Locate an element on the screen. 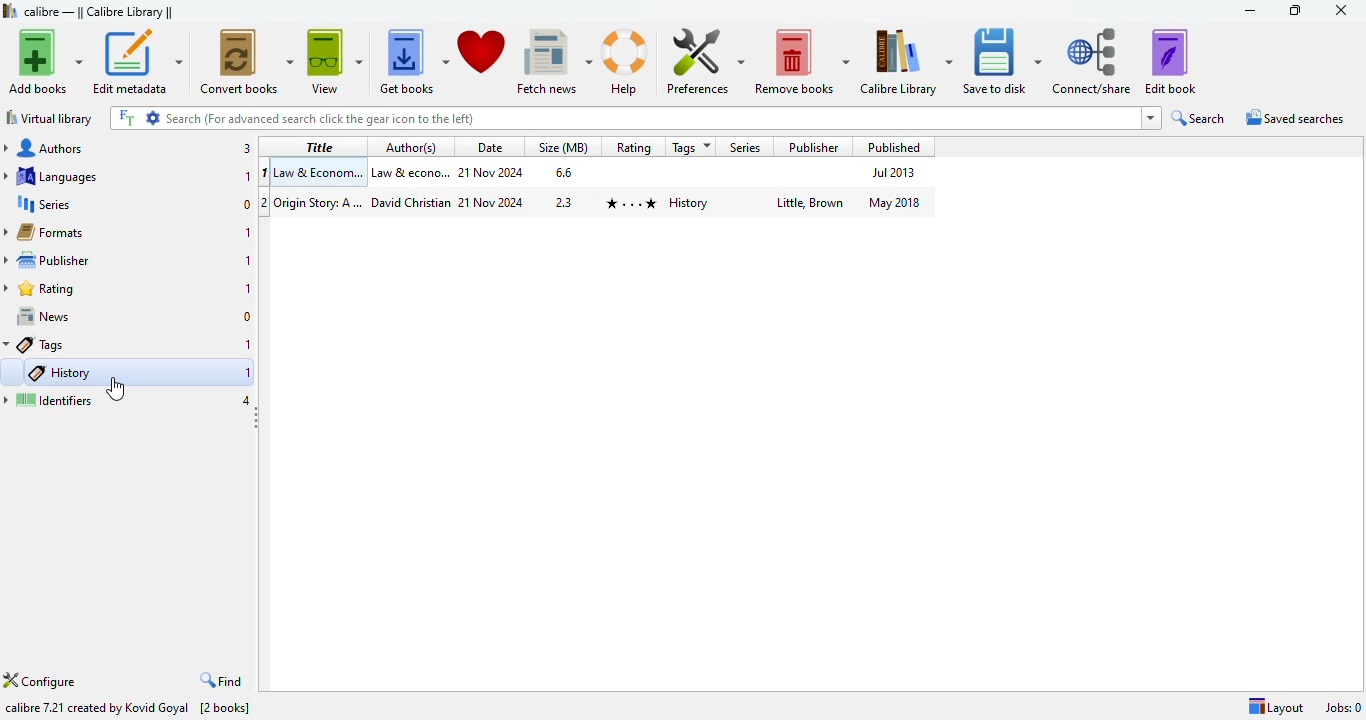  david christian is located at coordinates (411, 202).